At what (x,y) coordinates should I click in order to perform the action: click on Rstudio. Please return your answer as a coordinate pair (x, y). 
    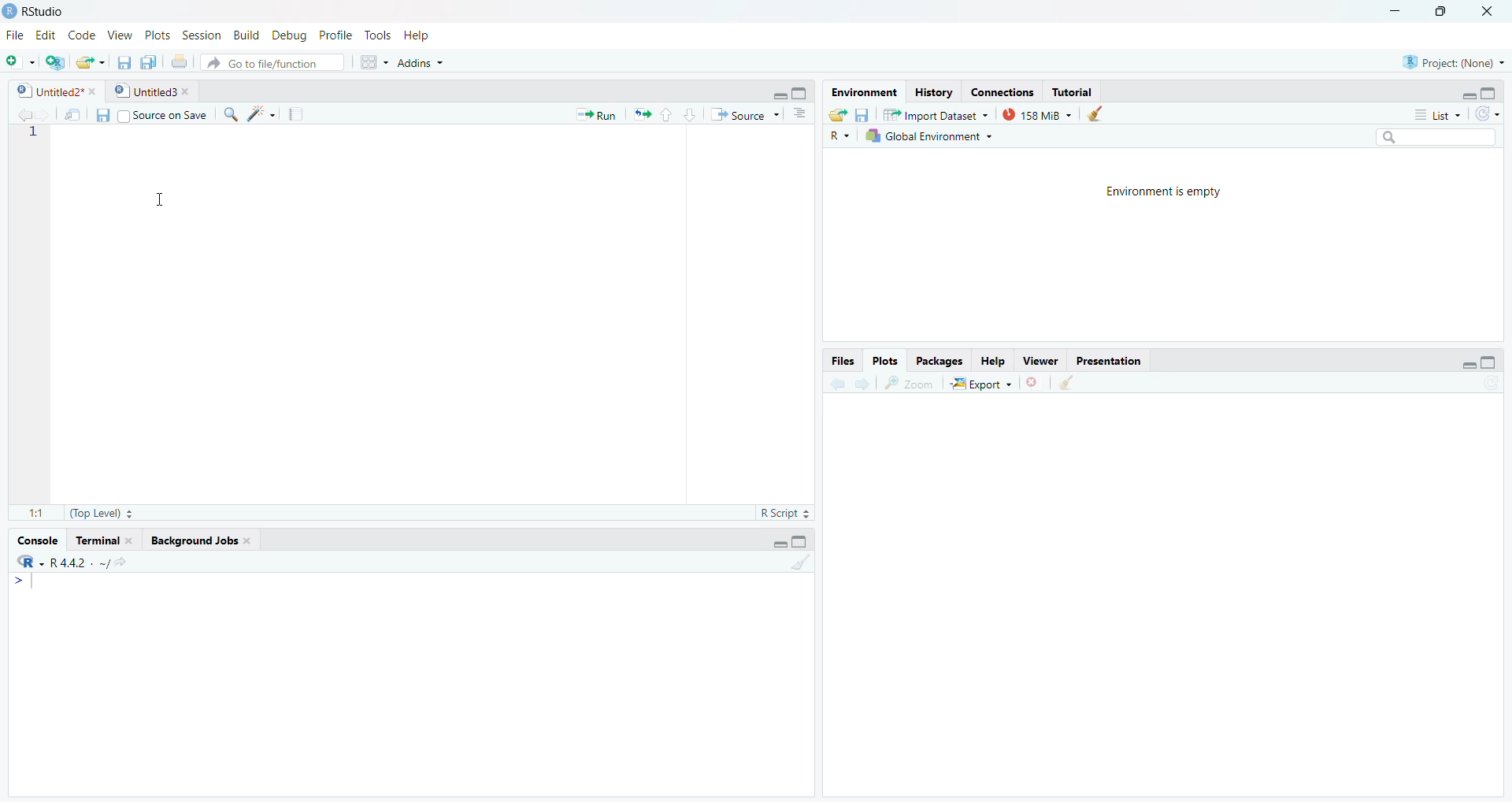
    Looking at the image, I should click on (46, 9).